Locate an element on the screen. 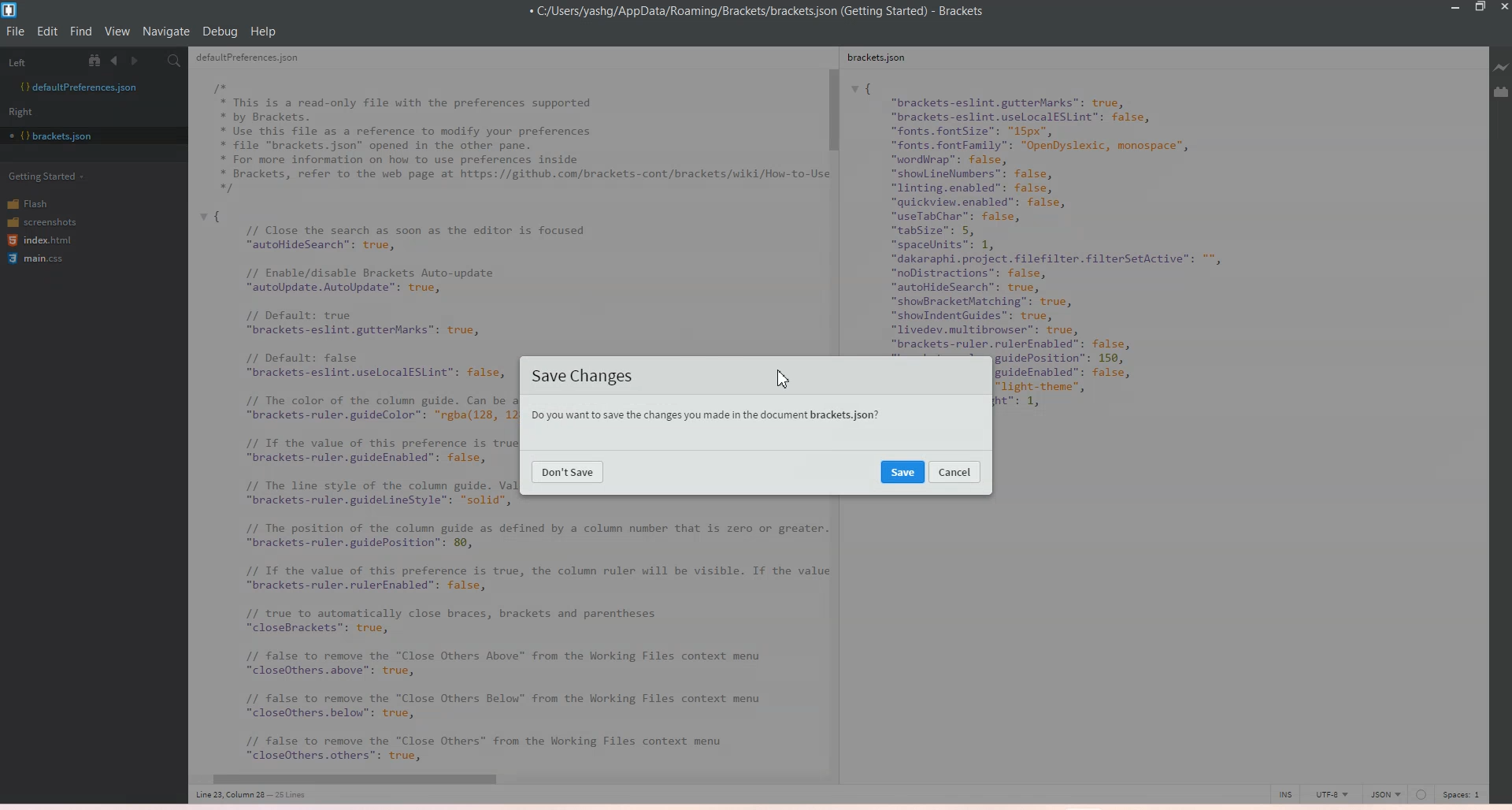 This screenshot has height=810, width=1512. UTF-8 is located at coordinates (1331, 793).